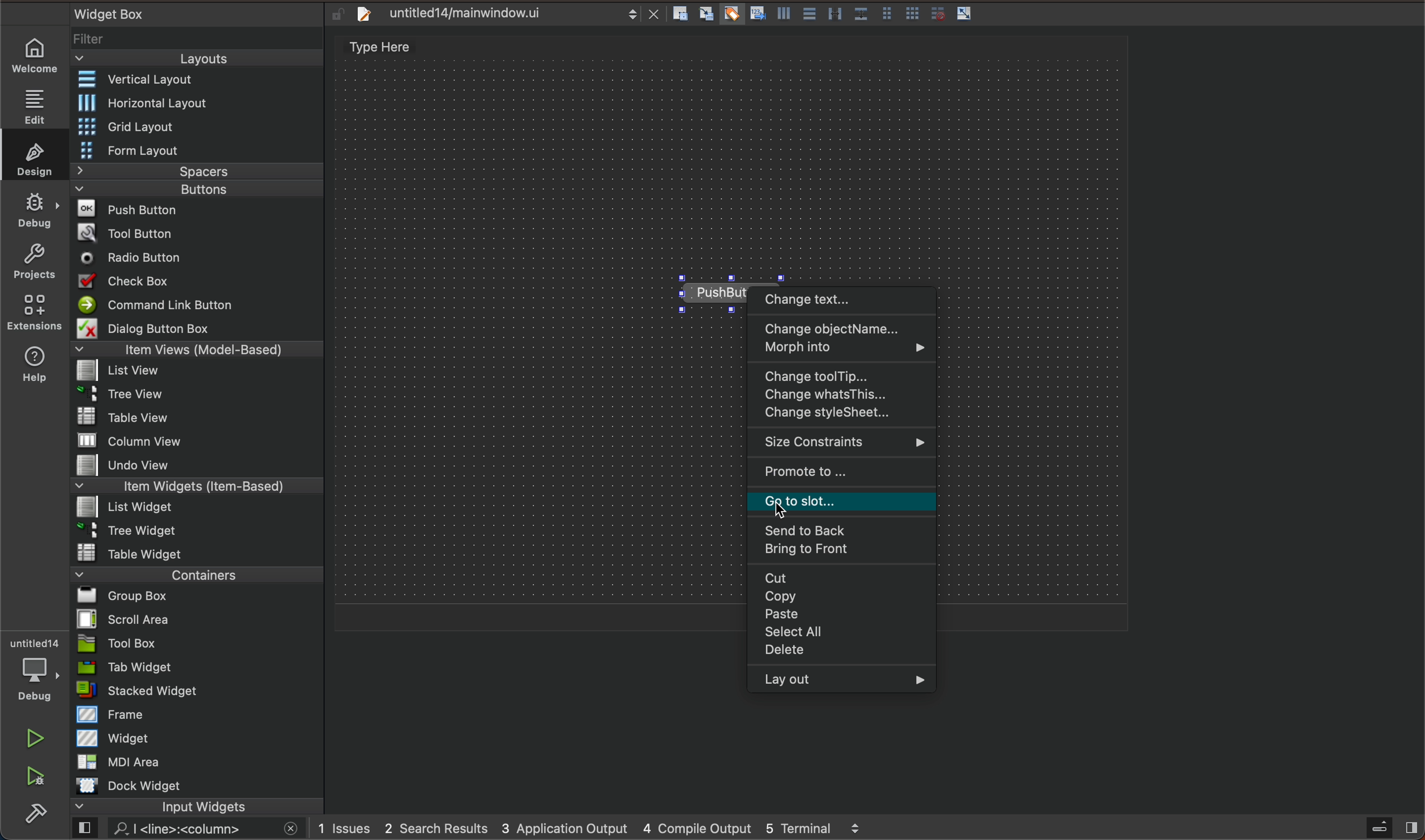 The image size is (1425, 840). What do you see at coordinates (33, 818) in the screenshot?
I see `build` at bounding box center [33, 818].